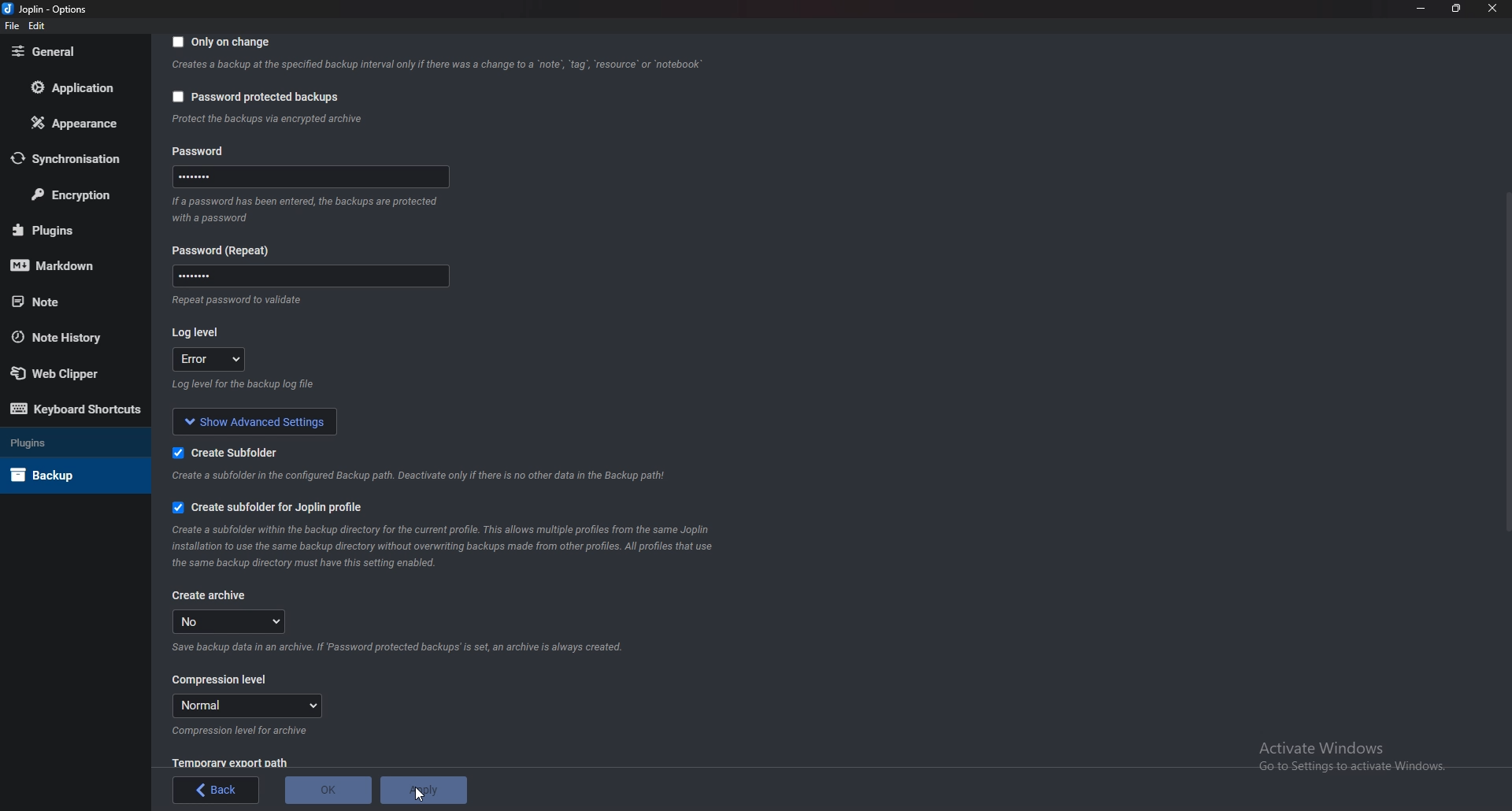 The image size is (1512, 811). What do you see at coordinates (282, 505) in the screenshot?
I see `Create subfolder for joplin profile` at bounding box center [282, 505].